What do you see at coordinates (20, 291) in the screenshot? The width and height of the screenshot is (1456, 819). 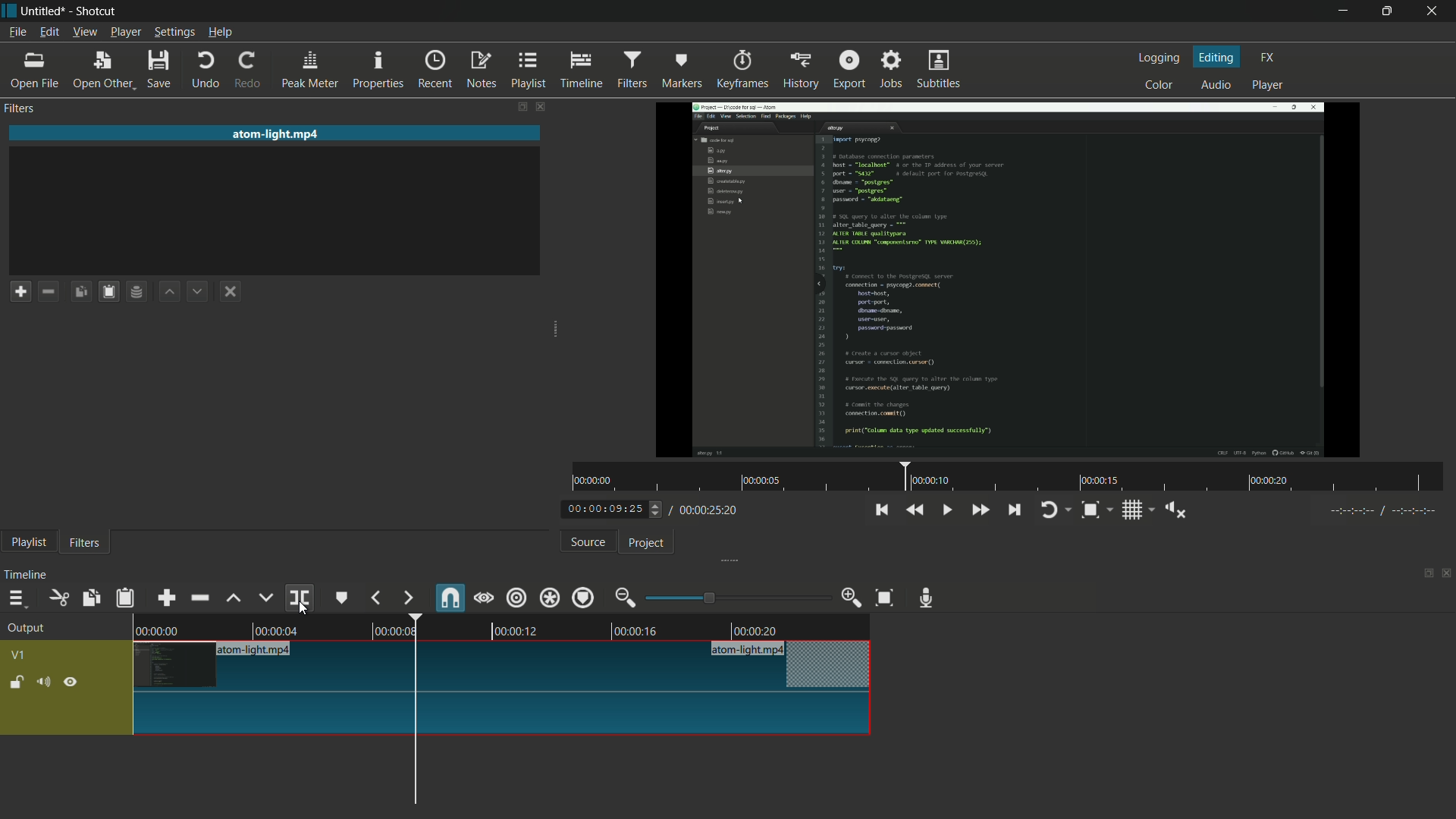 I see `add a filter` at bounding box center [20, 291].